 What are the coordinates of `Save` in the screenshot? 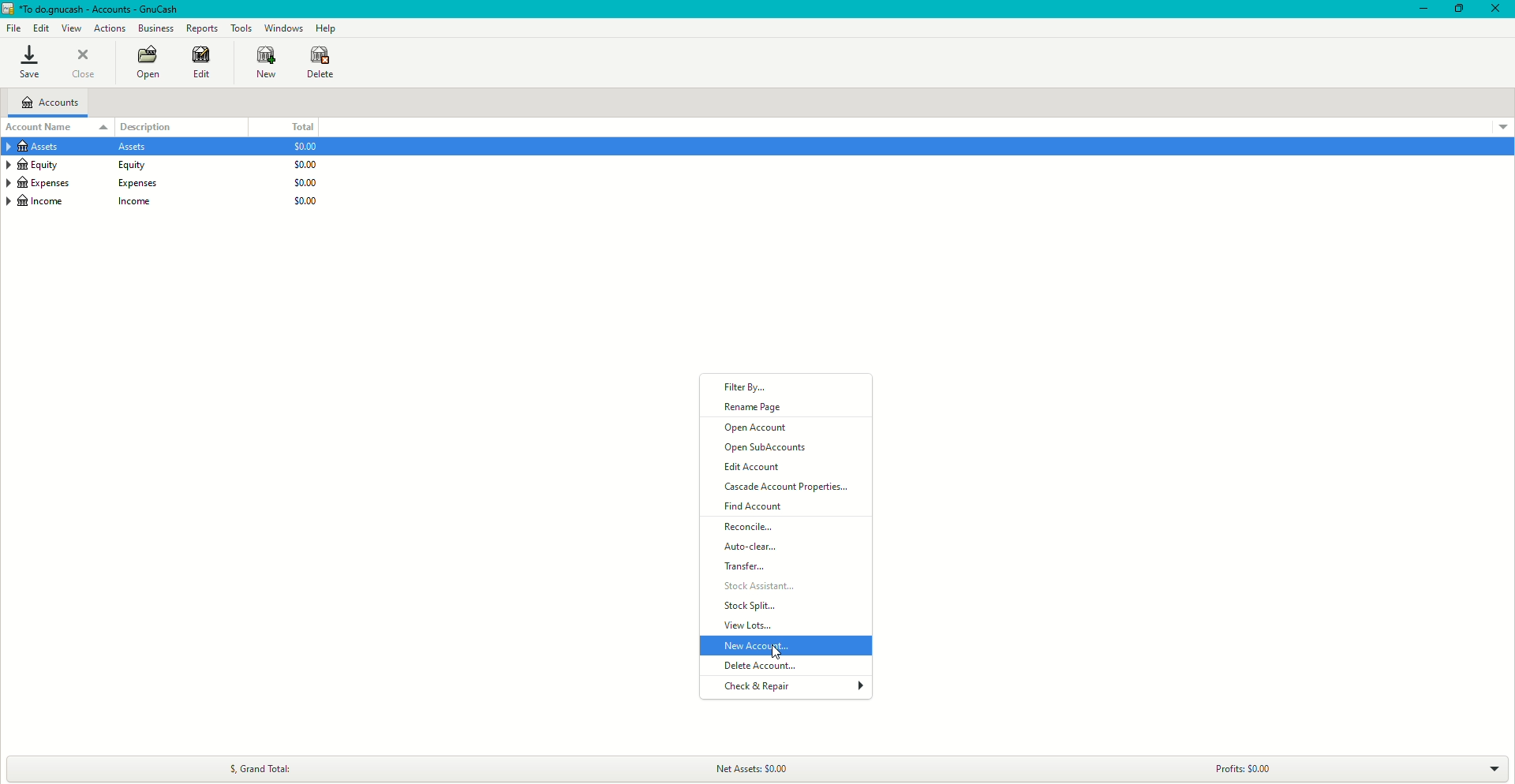 It's located at (28, 63).